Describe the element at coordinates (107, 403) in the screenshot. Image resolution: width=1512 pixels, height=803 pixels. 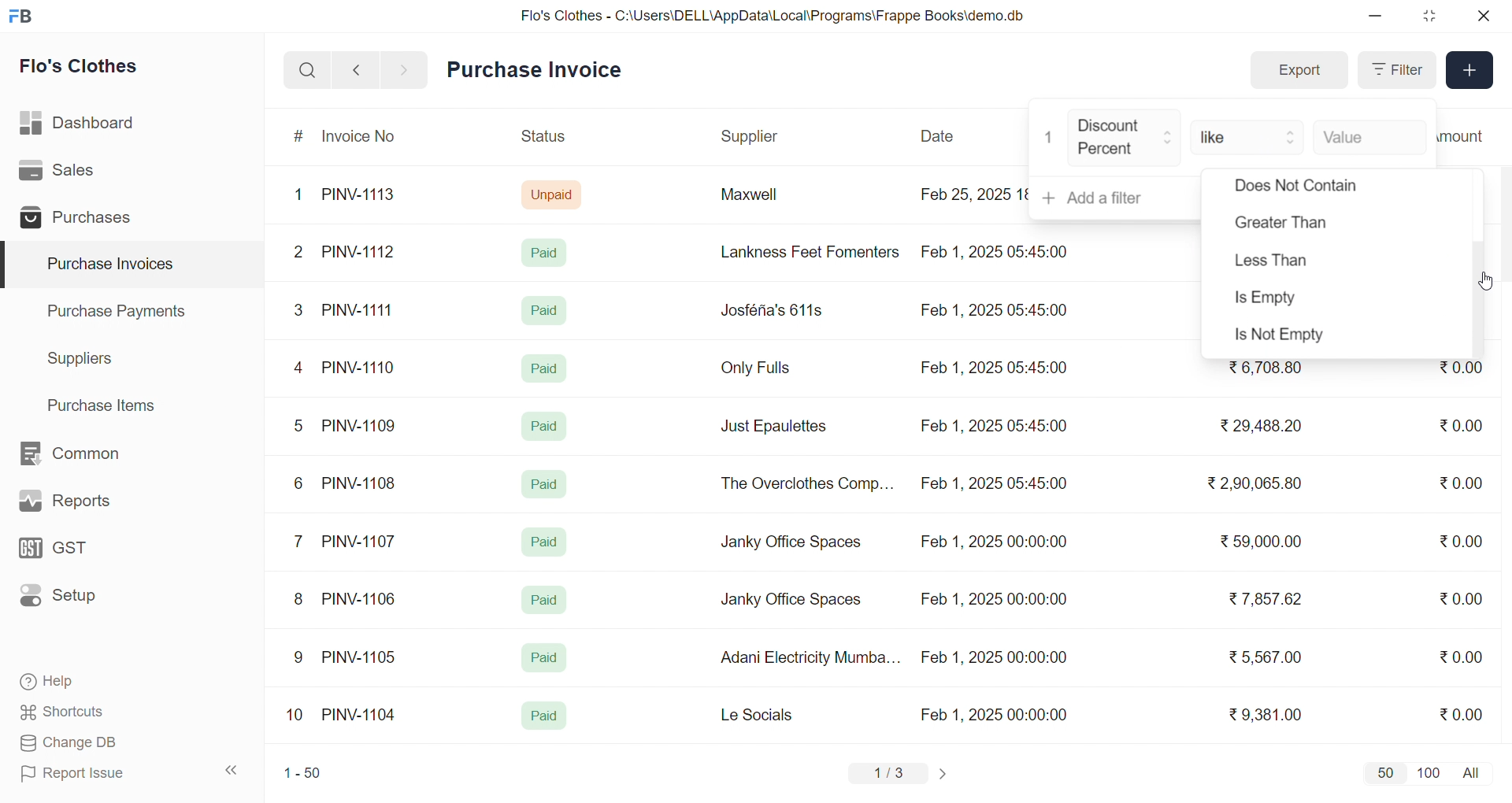
I see `Purchase Items` at that location.